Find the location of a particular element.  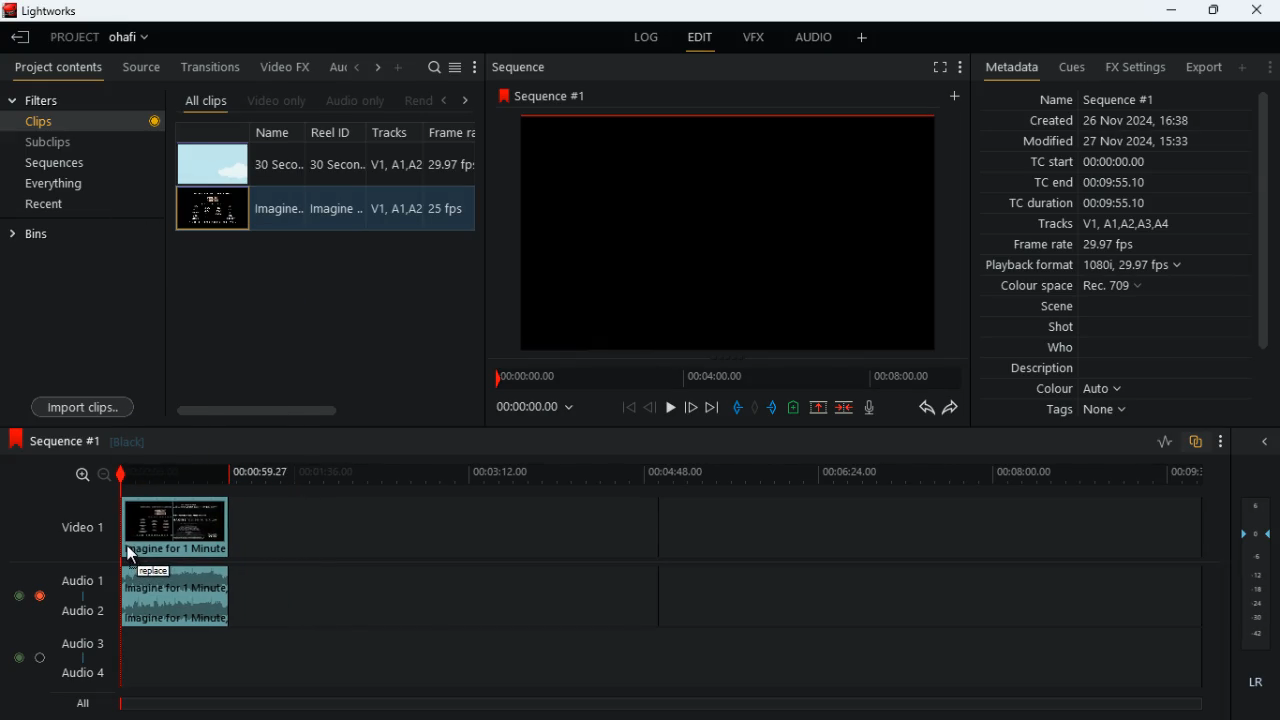

audio 2 is located at coordinates (85, 613).